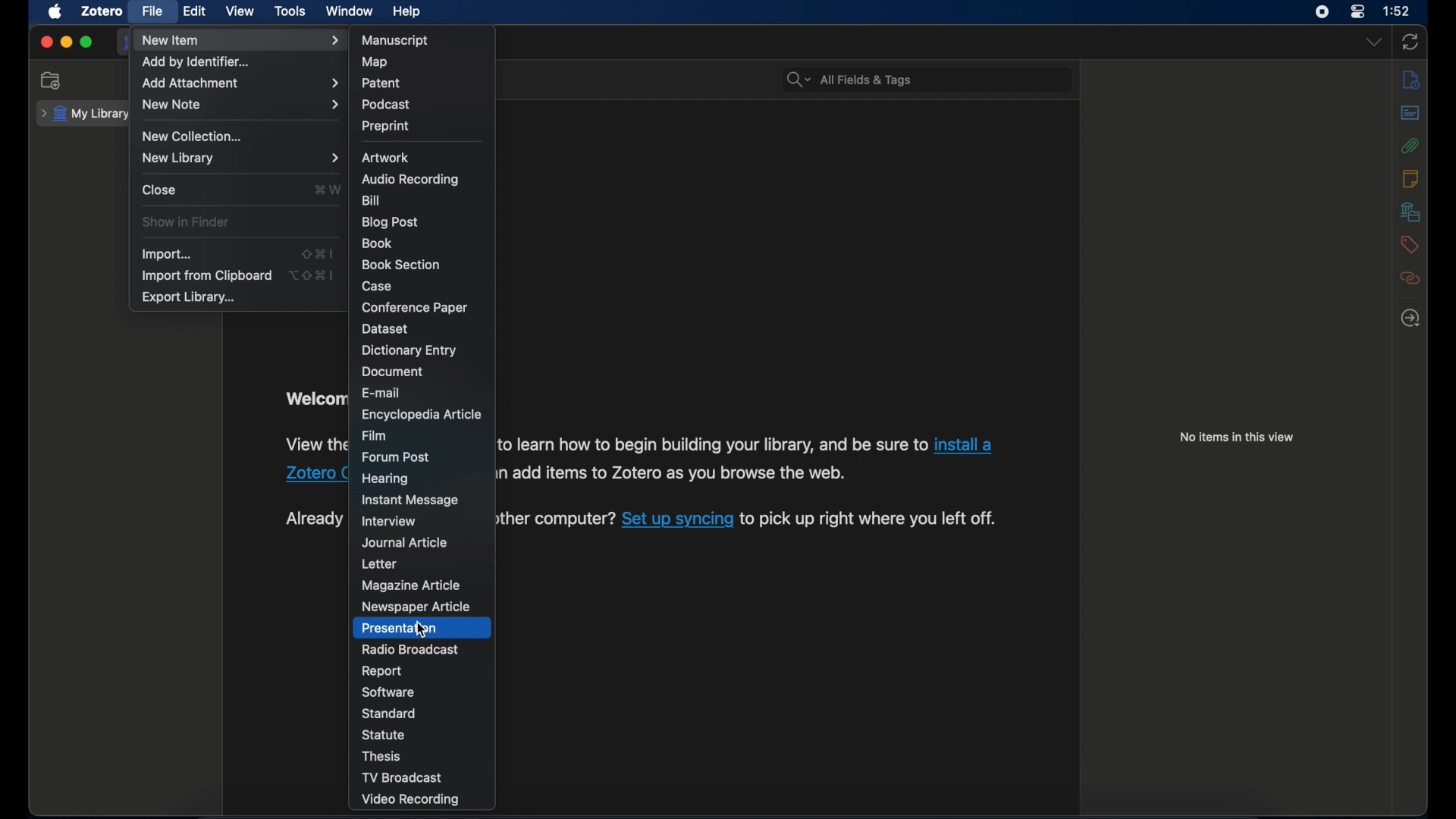 The height and width of the screenshot is (819, 1456). I want to click on info, so click(1412, 80).